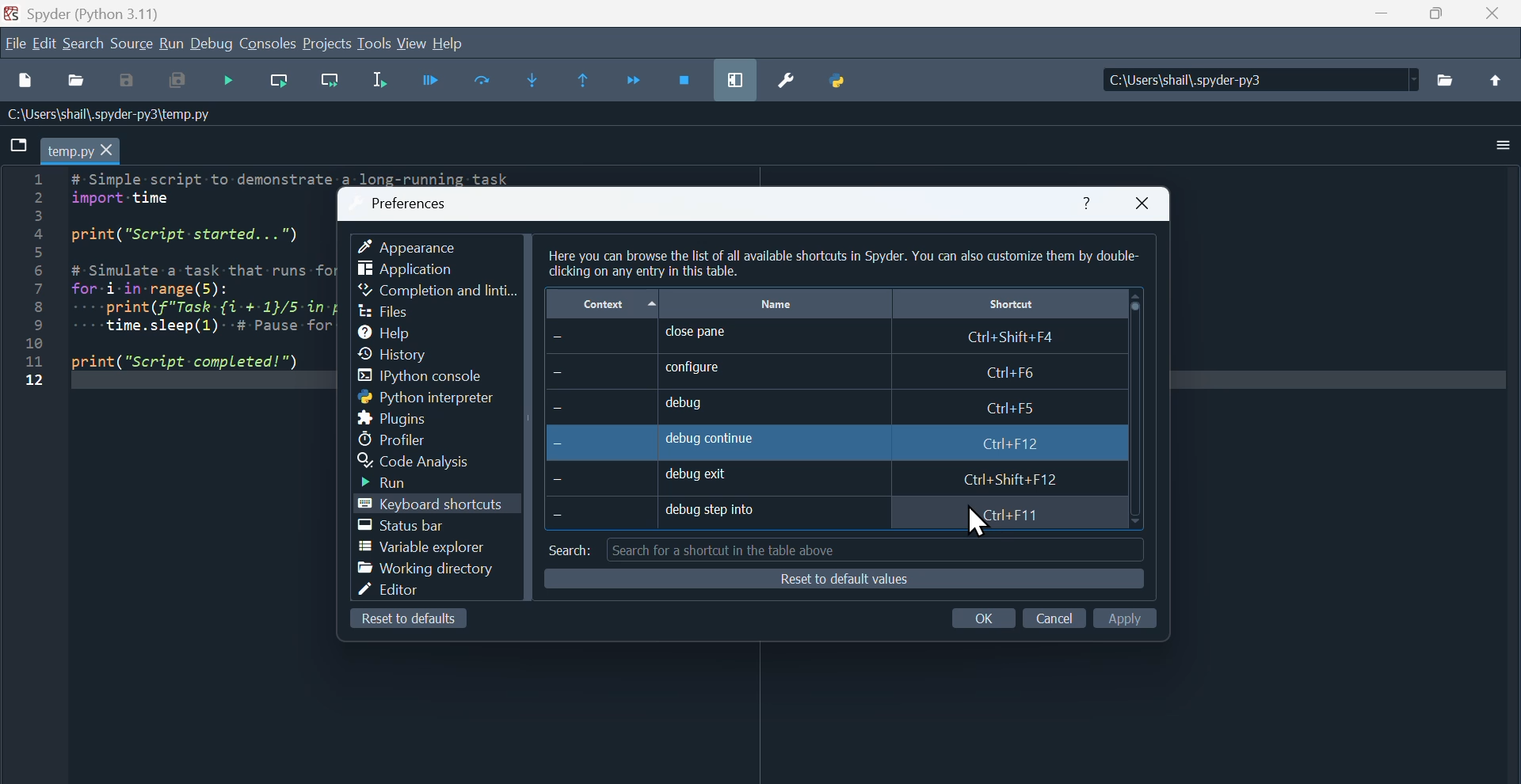 The image size is (1521, 784). I want to click on Keyboard shortcut, so click(432, 505).